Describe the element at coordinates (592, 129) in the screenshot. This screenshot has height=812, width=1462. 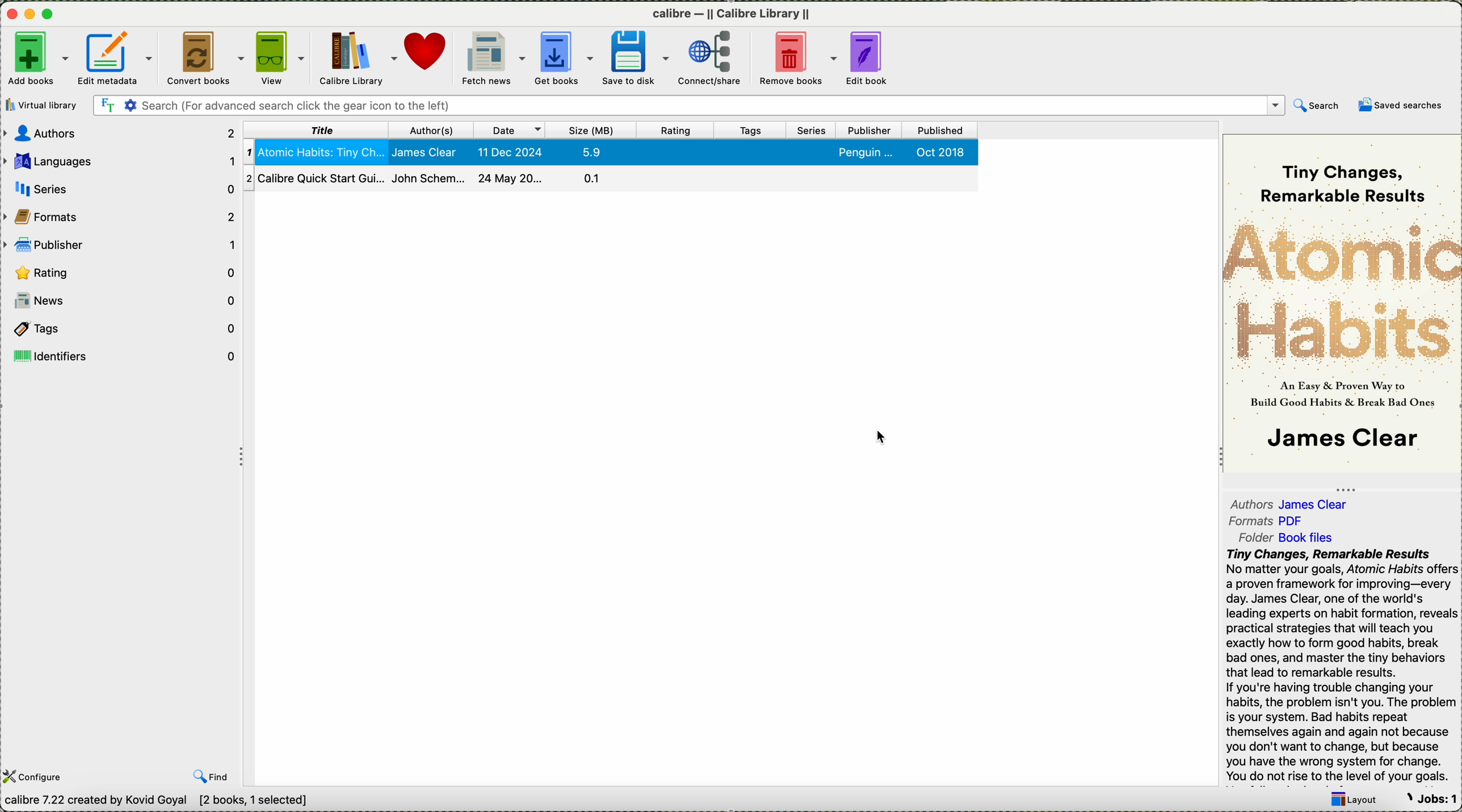
I see `size` at that location.